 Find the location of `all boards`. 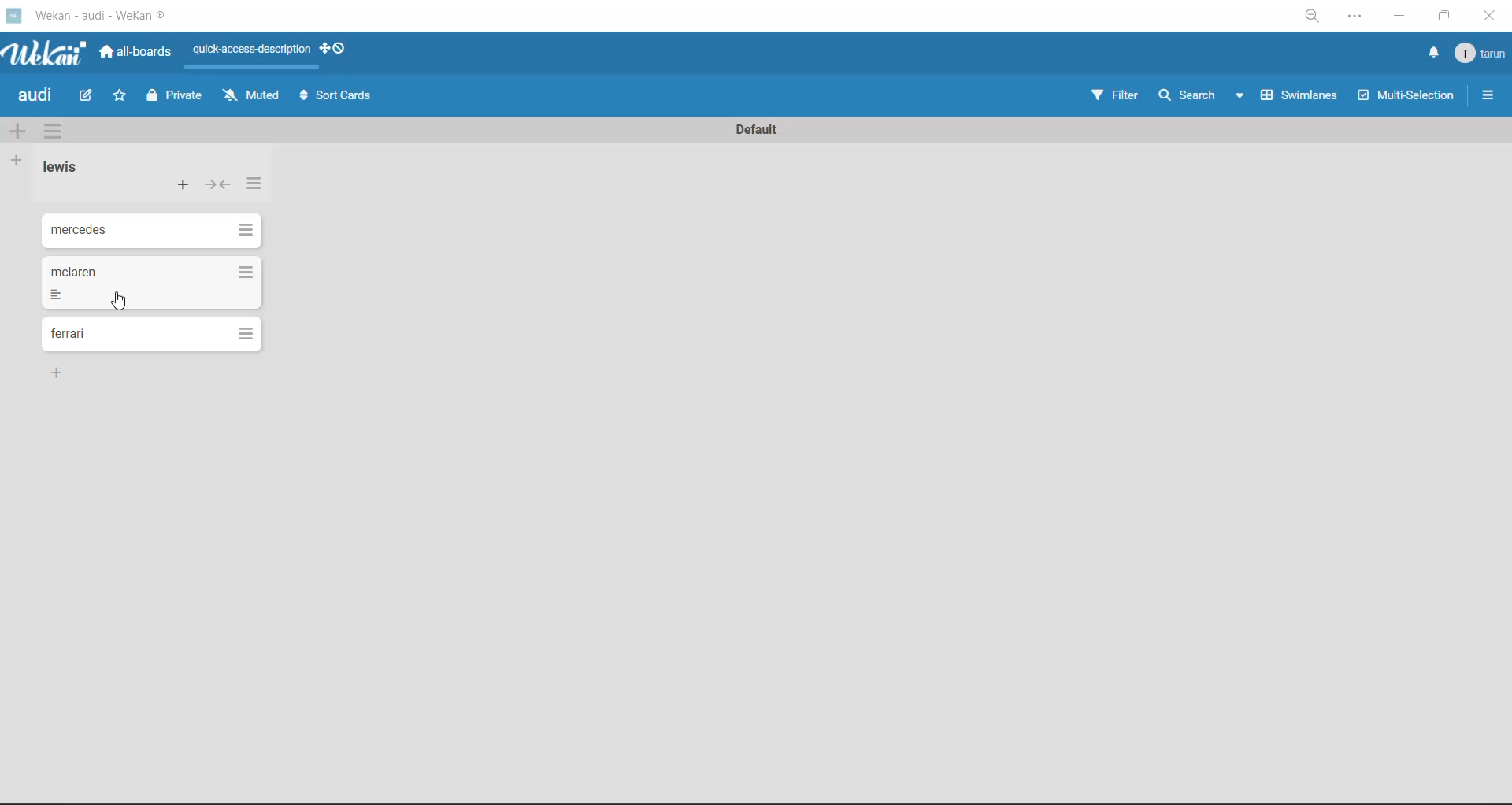

all boards is located at coordinates (136, 52).